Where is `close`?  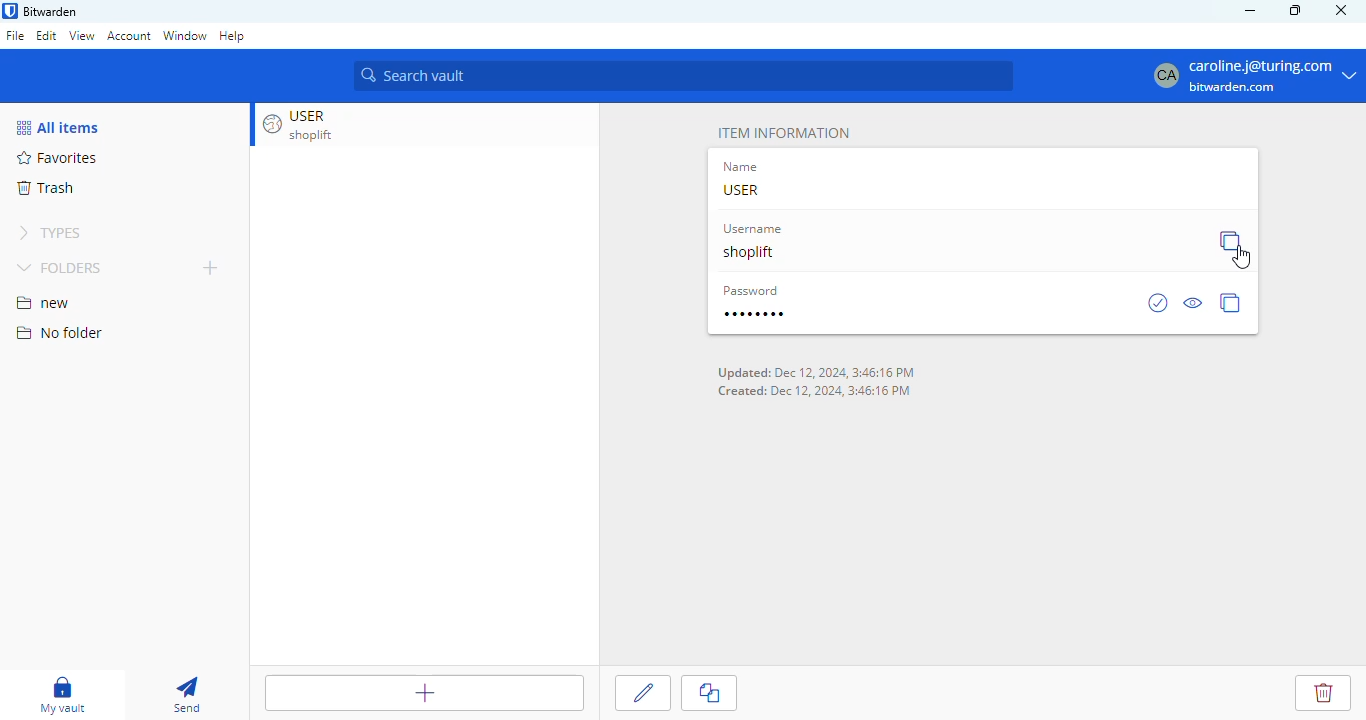 close is located at coordinates (1341, 10).